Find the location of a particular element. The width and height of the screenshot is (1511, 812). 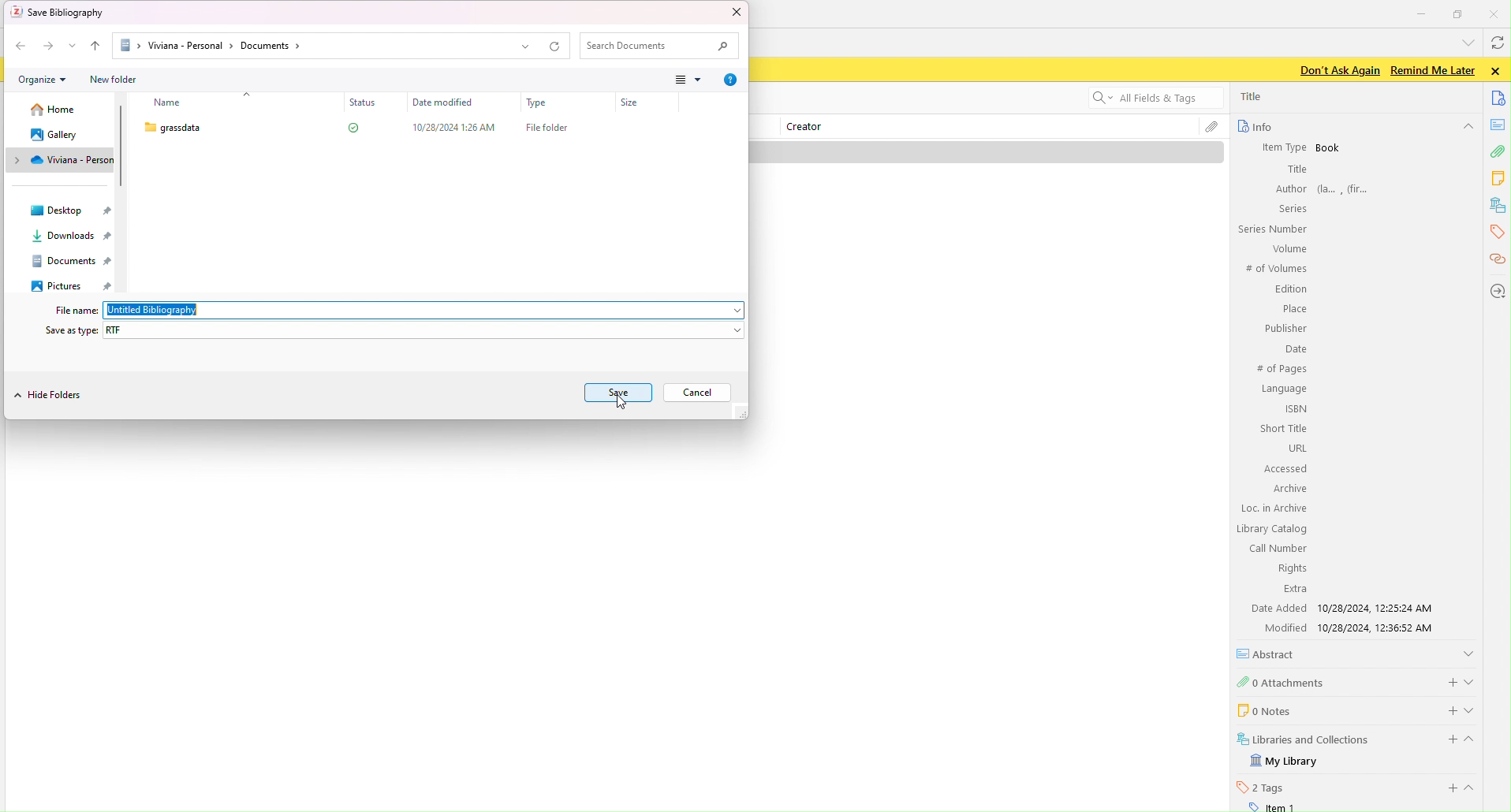

Organize is located at coordinates (46, 81).